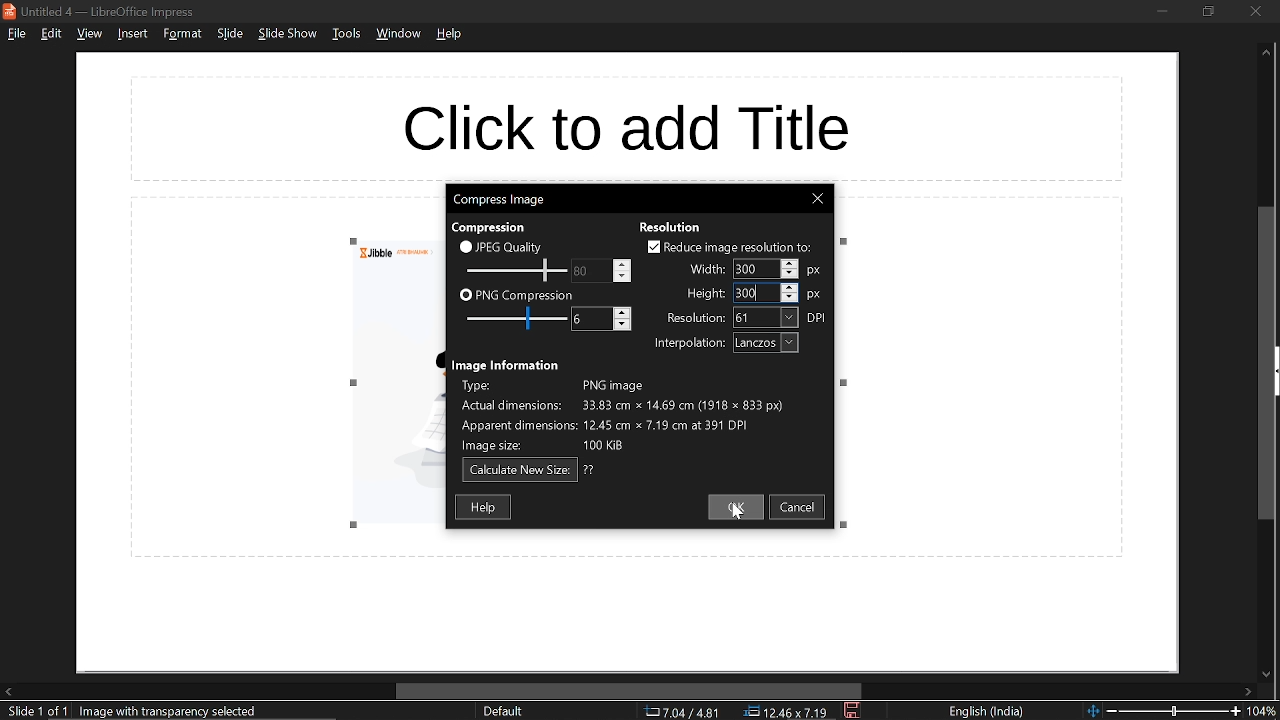 The height and width of the screenshot is (720, 1280). Describe the element at coordinates (517, 269) in the screenshot. I see `JPEG quality scale` at that location.